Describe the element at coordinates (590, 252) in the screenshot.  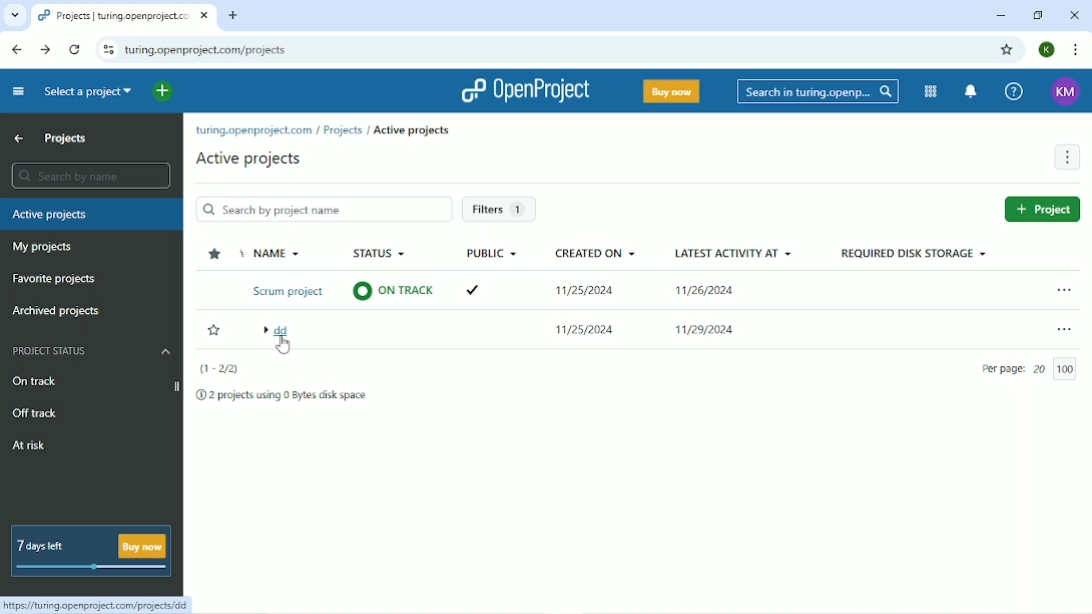
I see `Created on` at that location.